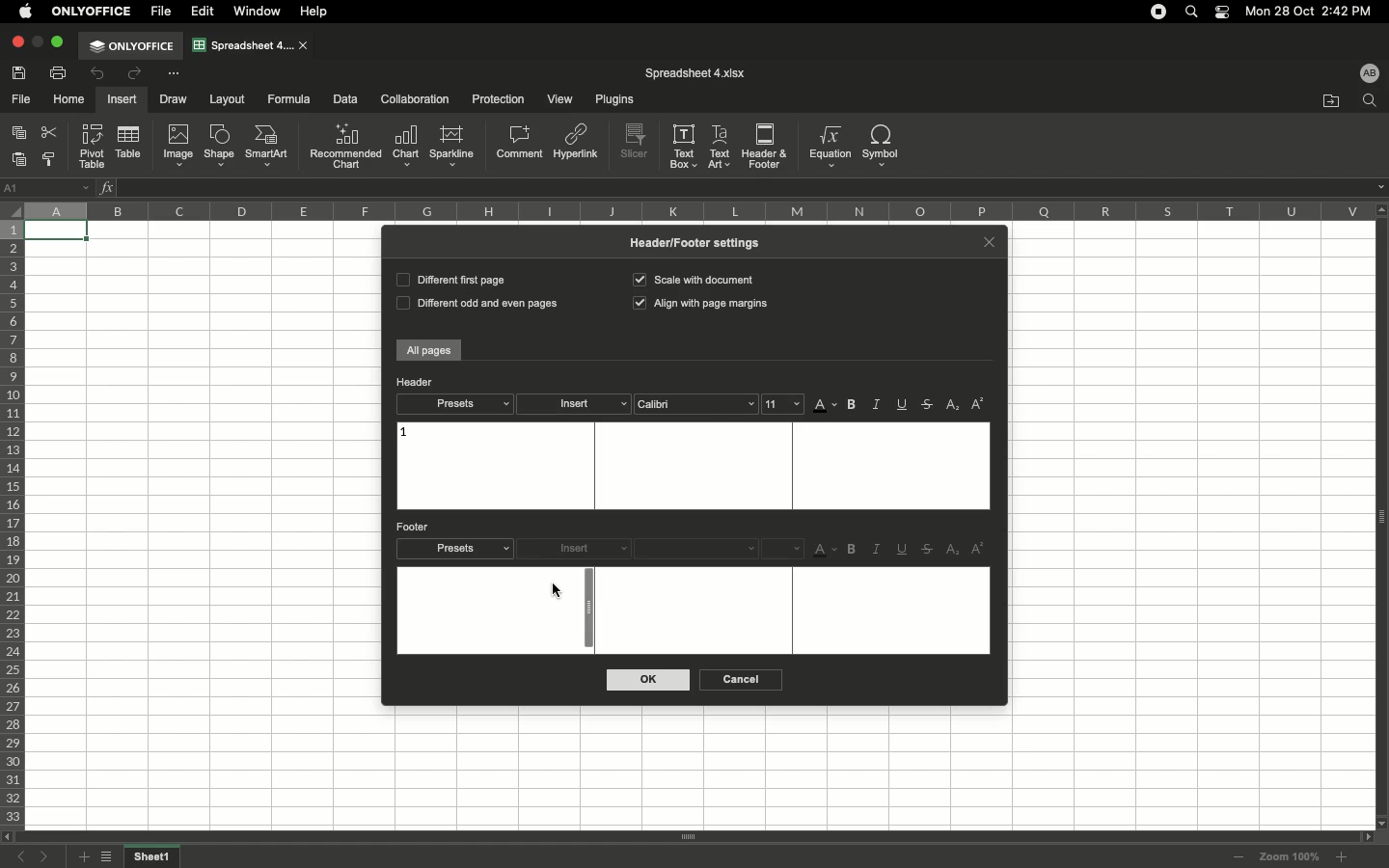  Describe the element at coordinates (695, 73) in the screenshot. I see `File name` at that location.